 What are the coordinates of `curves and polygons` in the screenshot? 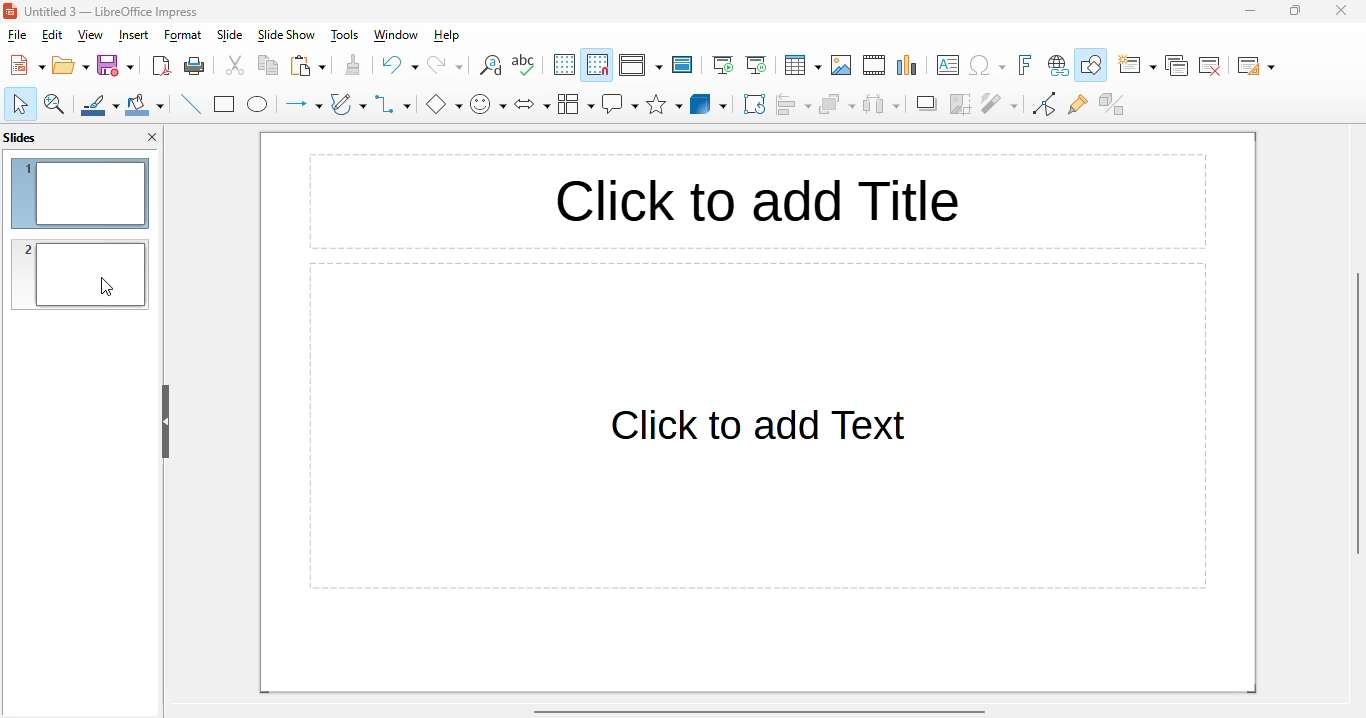 It's located at (348, 104).